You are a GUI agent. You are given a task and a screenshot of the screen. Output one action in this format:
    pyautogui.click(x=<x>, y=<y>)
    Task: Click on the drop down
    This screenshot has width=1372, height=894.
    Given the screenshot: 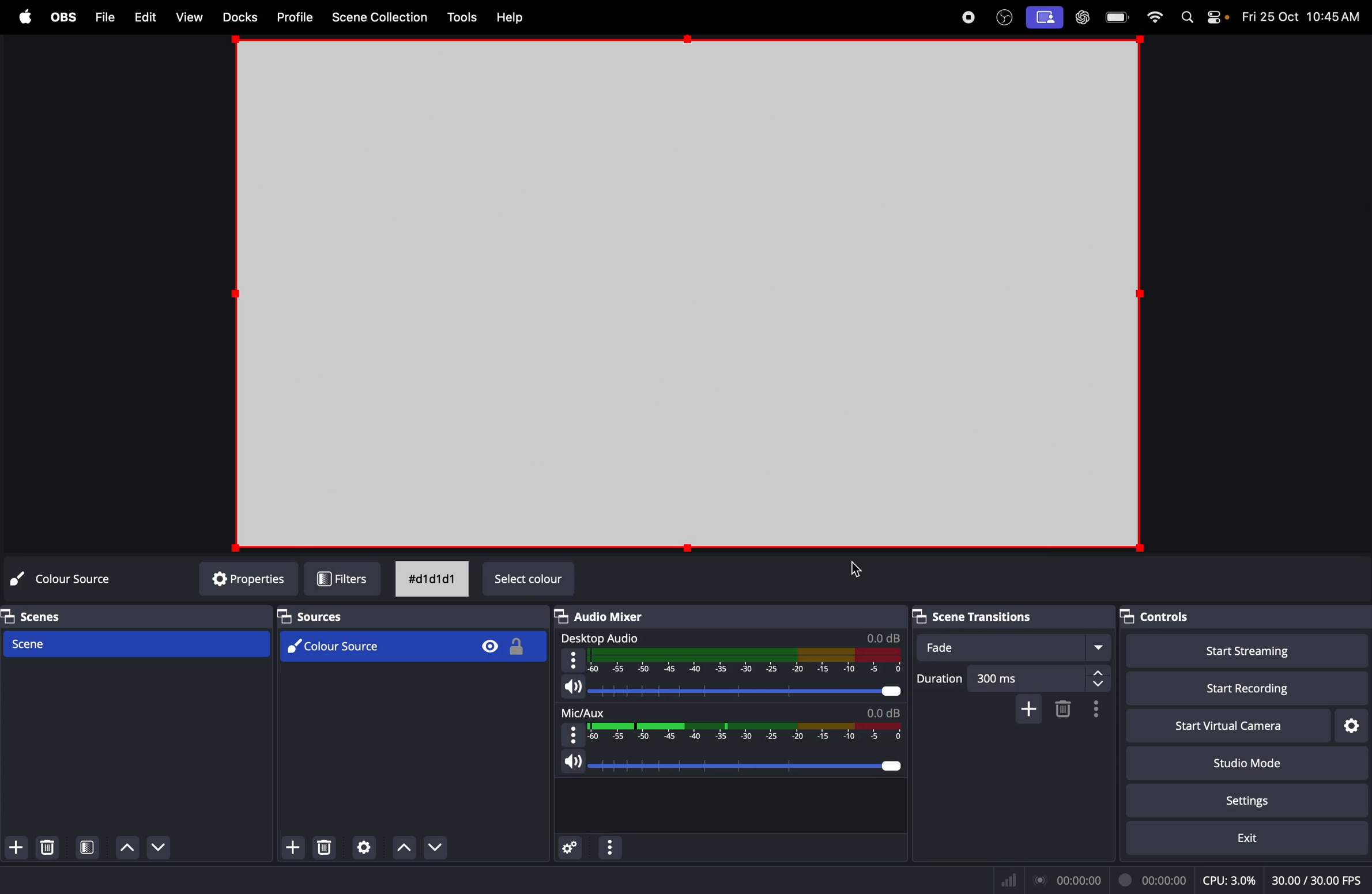 What is the action you would take?
    pyautogui.click(x=443, y=847)
    